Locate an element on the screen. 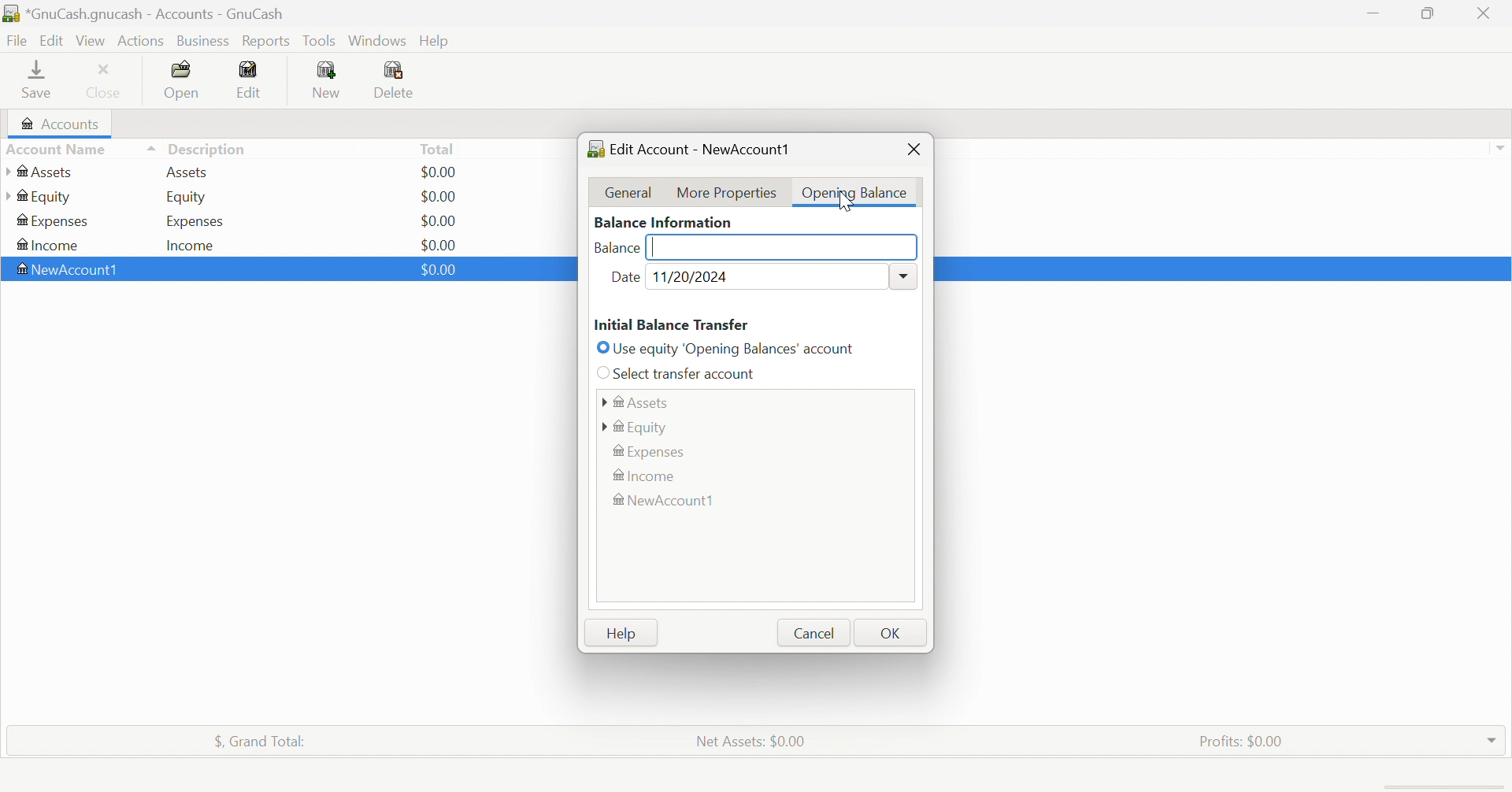  File is located at coordinates (17, 39).